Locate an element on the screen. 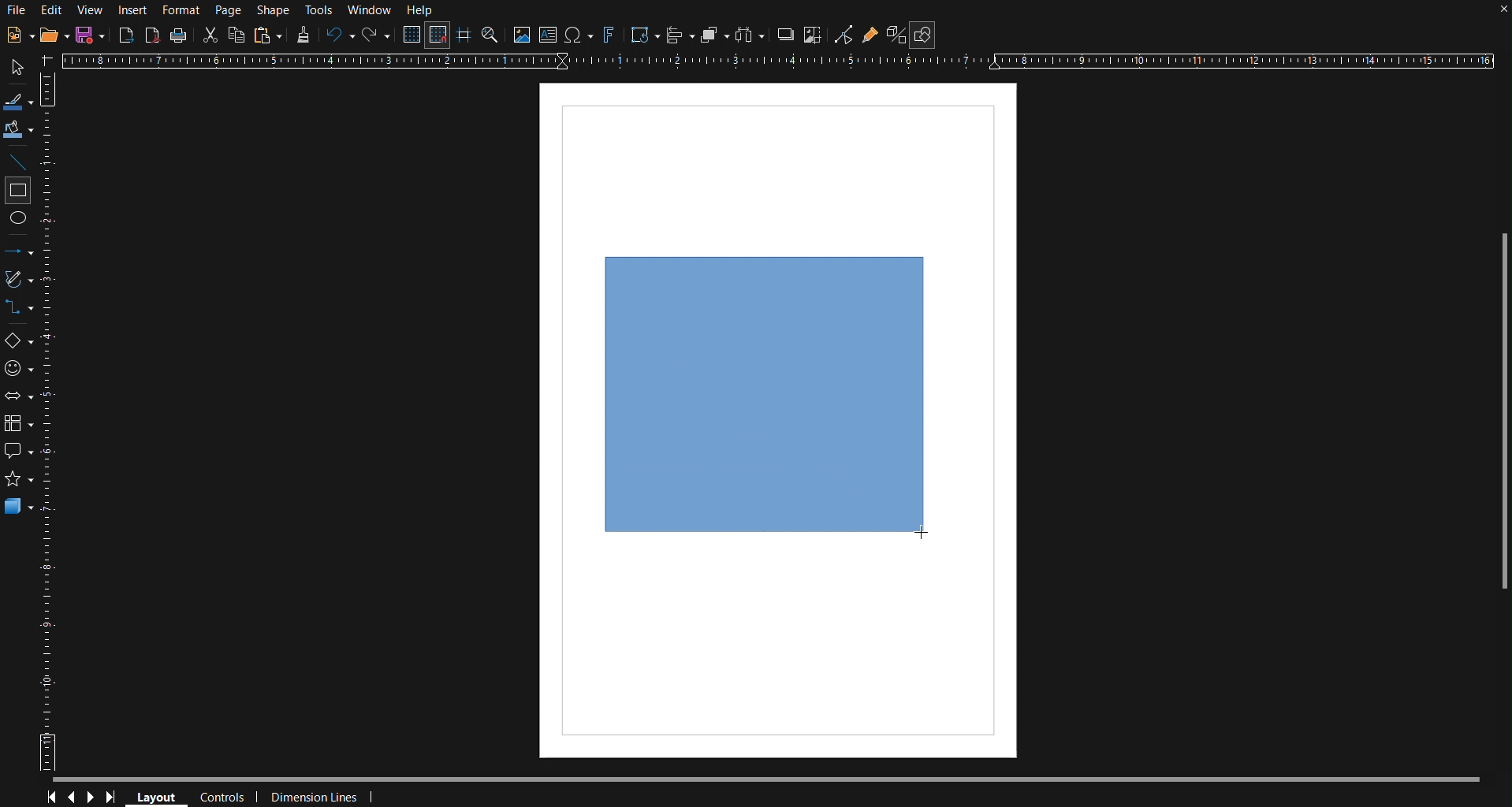 This screenshot has height=807, width=1512. Toggle Extrusion is located at coordinates (897, 34).